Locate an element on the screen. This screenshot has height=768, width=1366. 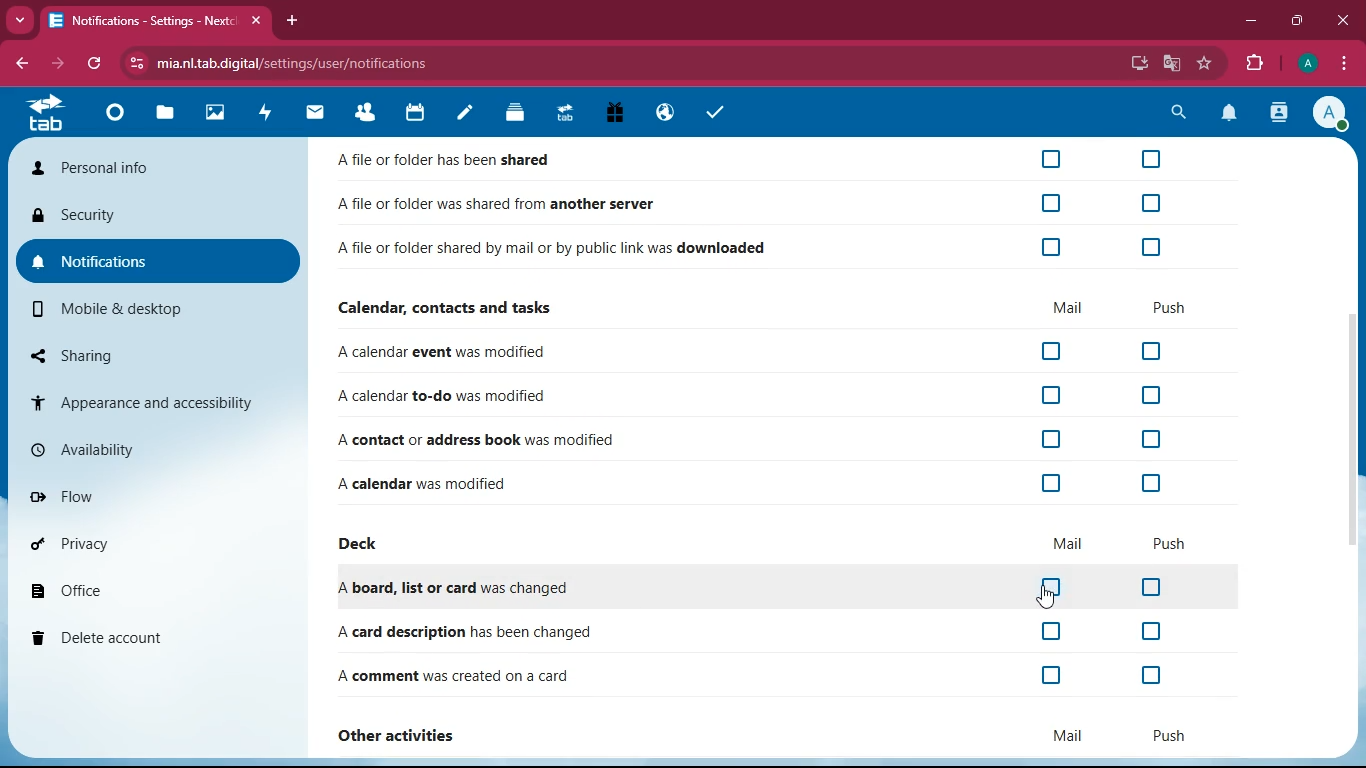
off is located at coordinates (1152, 156).